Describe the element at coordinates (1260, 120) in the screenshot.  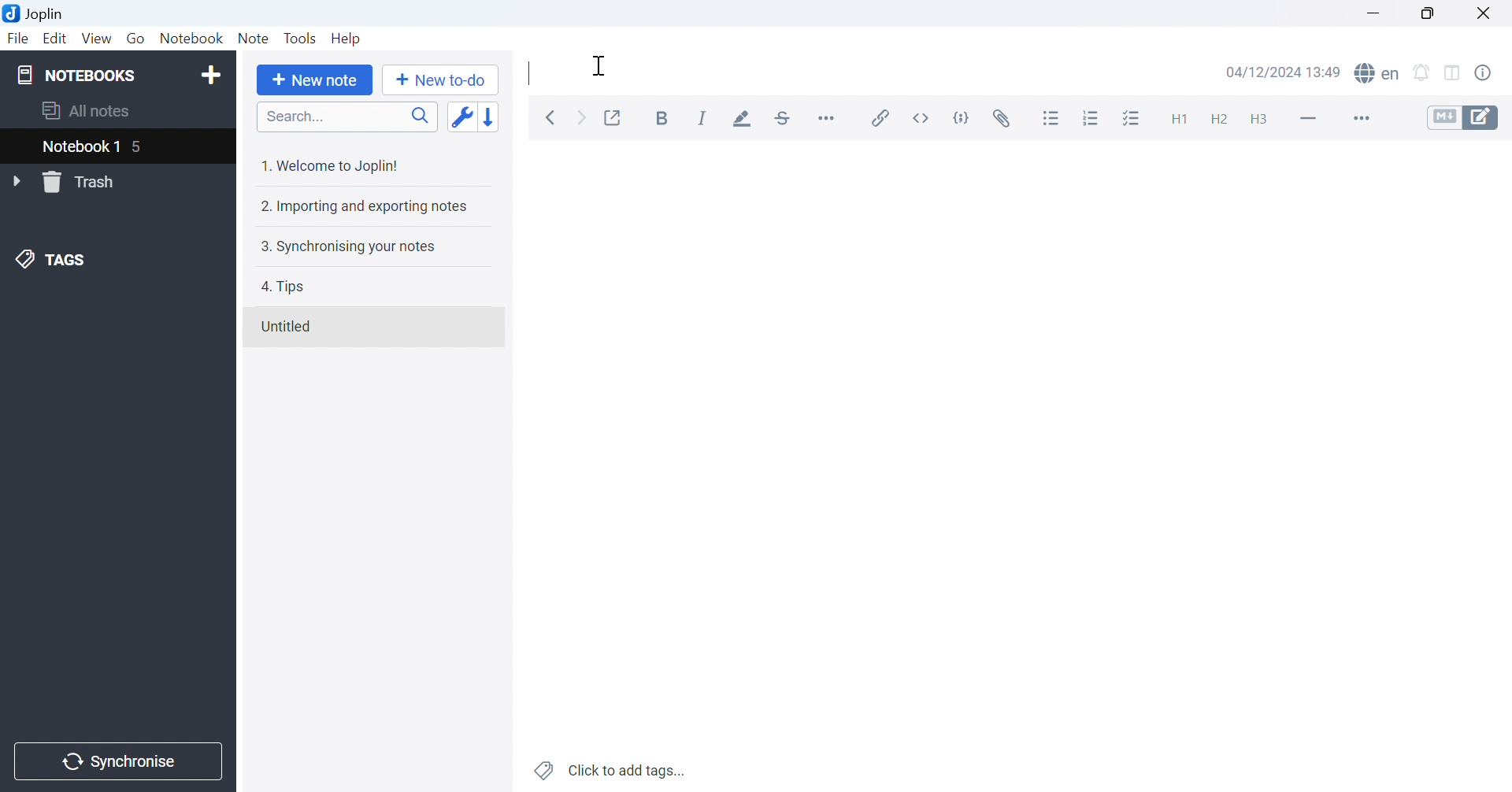
I see `Heading 3` at that location.